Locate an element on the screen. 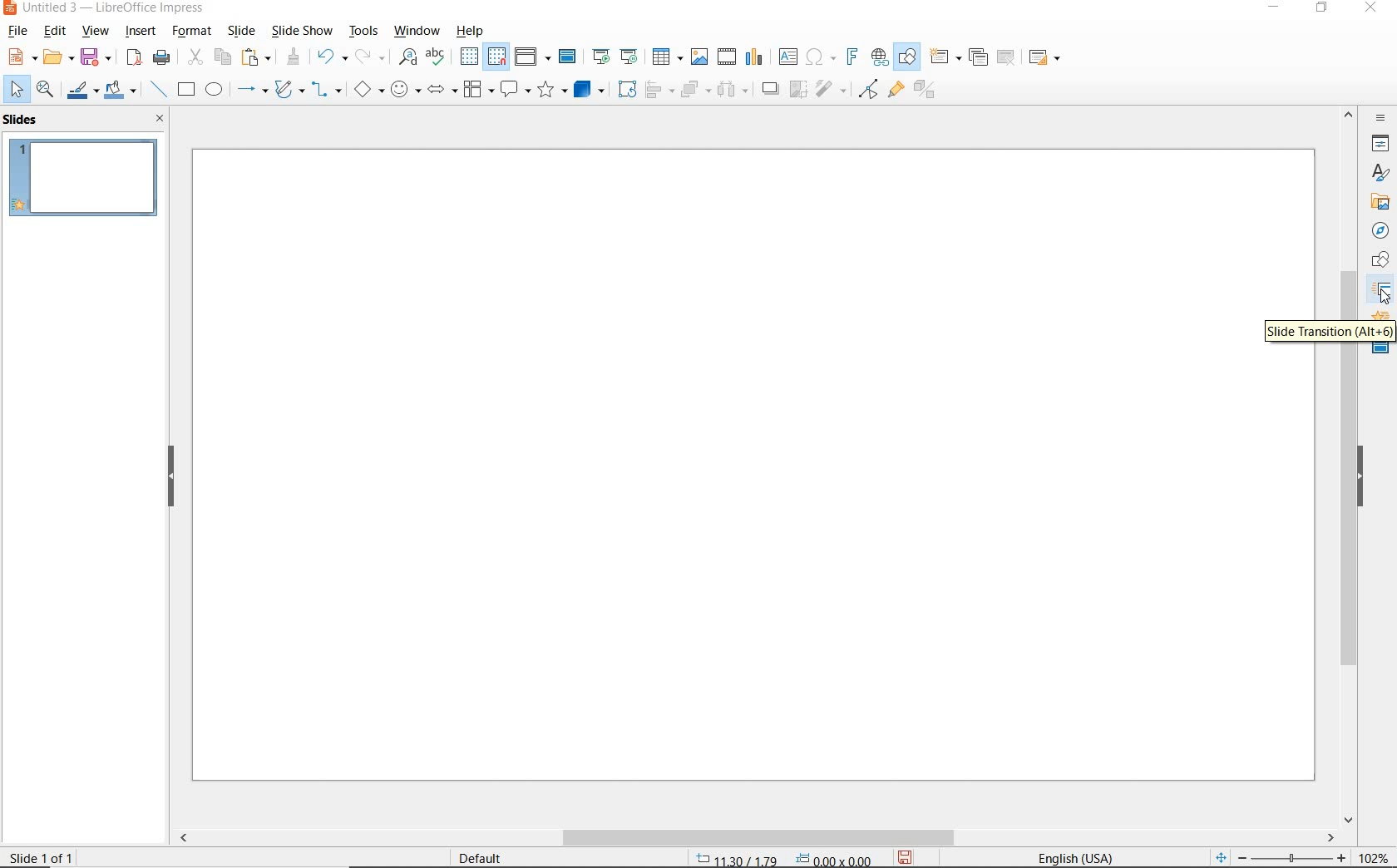 This screenshot has height=868, width=1397. CROP IMAGE is located at coordinates (796, 90).